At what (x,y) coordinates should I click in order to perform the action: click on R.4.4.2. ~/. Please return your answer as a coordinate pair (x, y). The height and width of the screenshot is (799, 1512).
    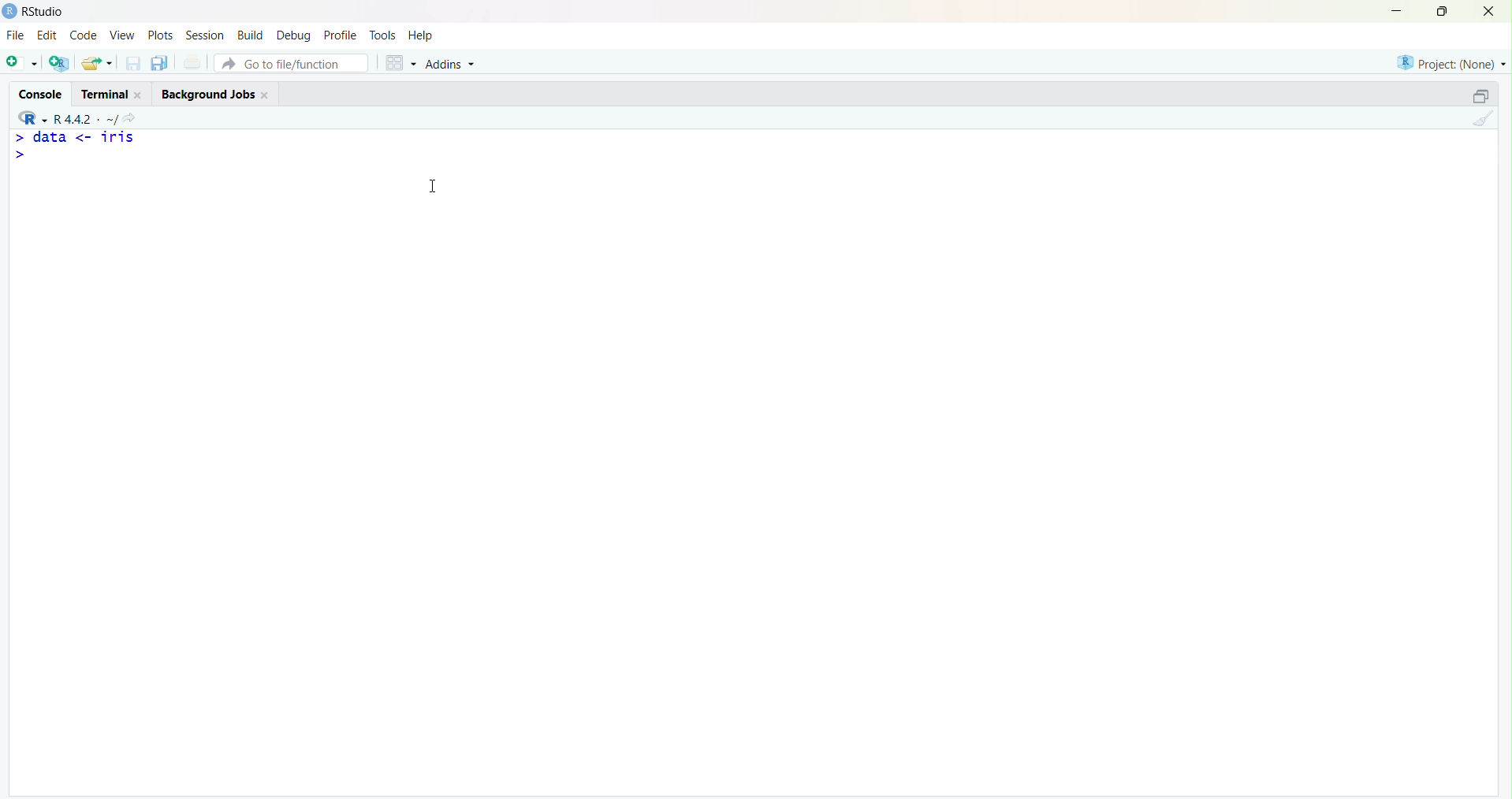
    Looking at the image, I should click on (87, 117).